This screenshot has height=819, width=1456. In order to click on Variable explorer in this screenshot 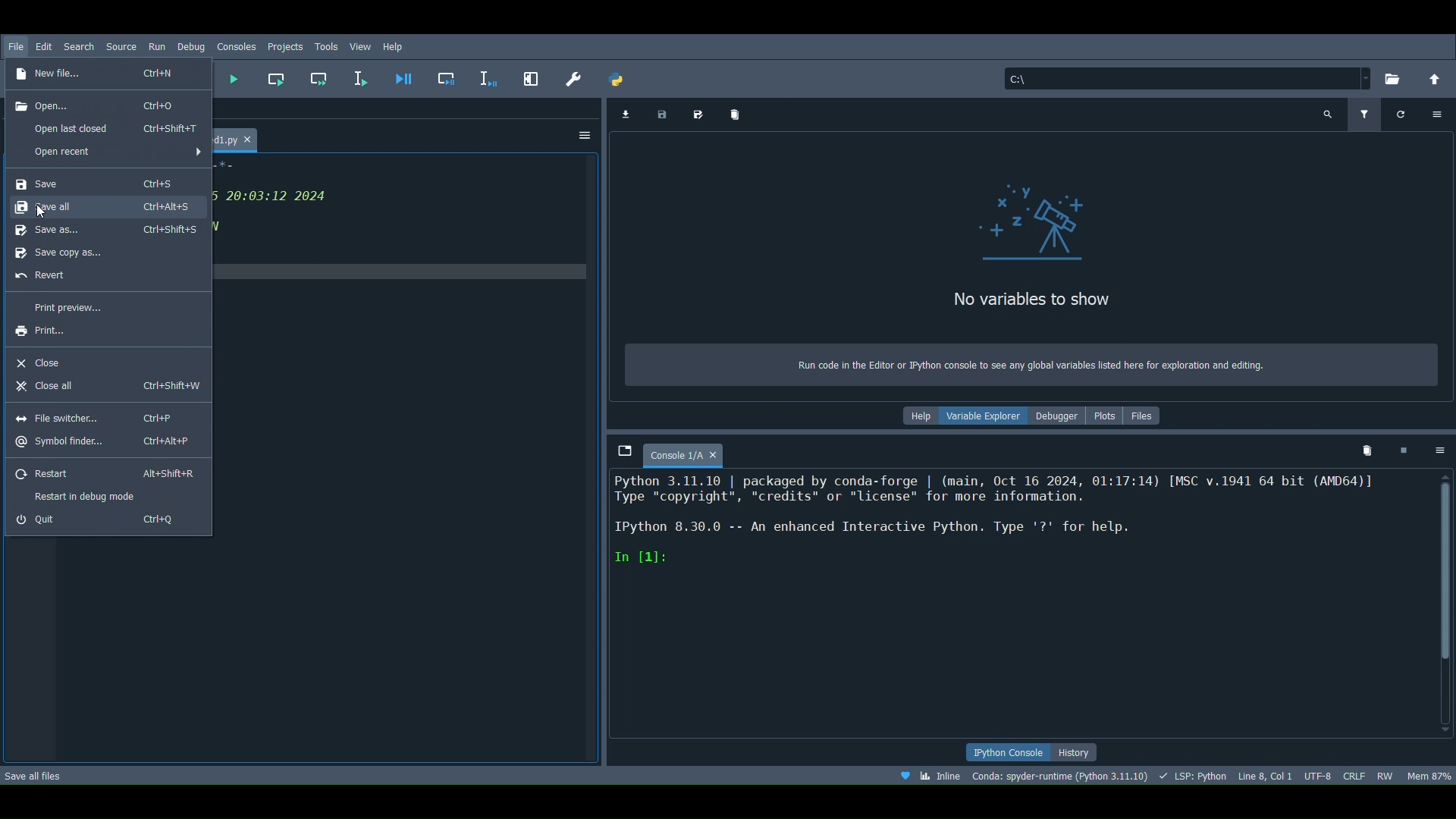, I will do `click(987, 413)`.